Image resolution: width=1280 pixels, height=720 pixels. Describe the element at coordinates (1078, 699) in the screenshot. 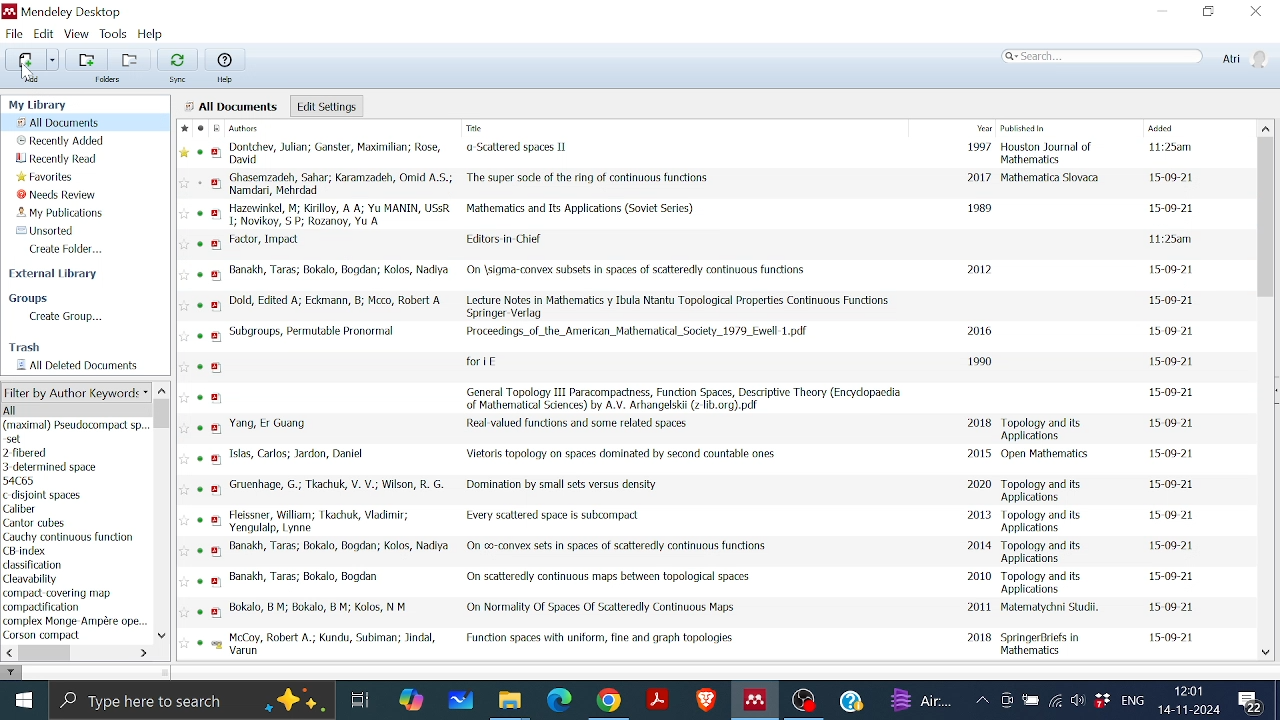

I see `Speaker/Headphone` at that location.